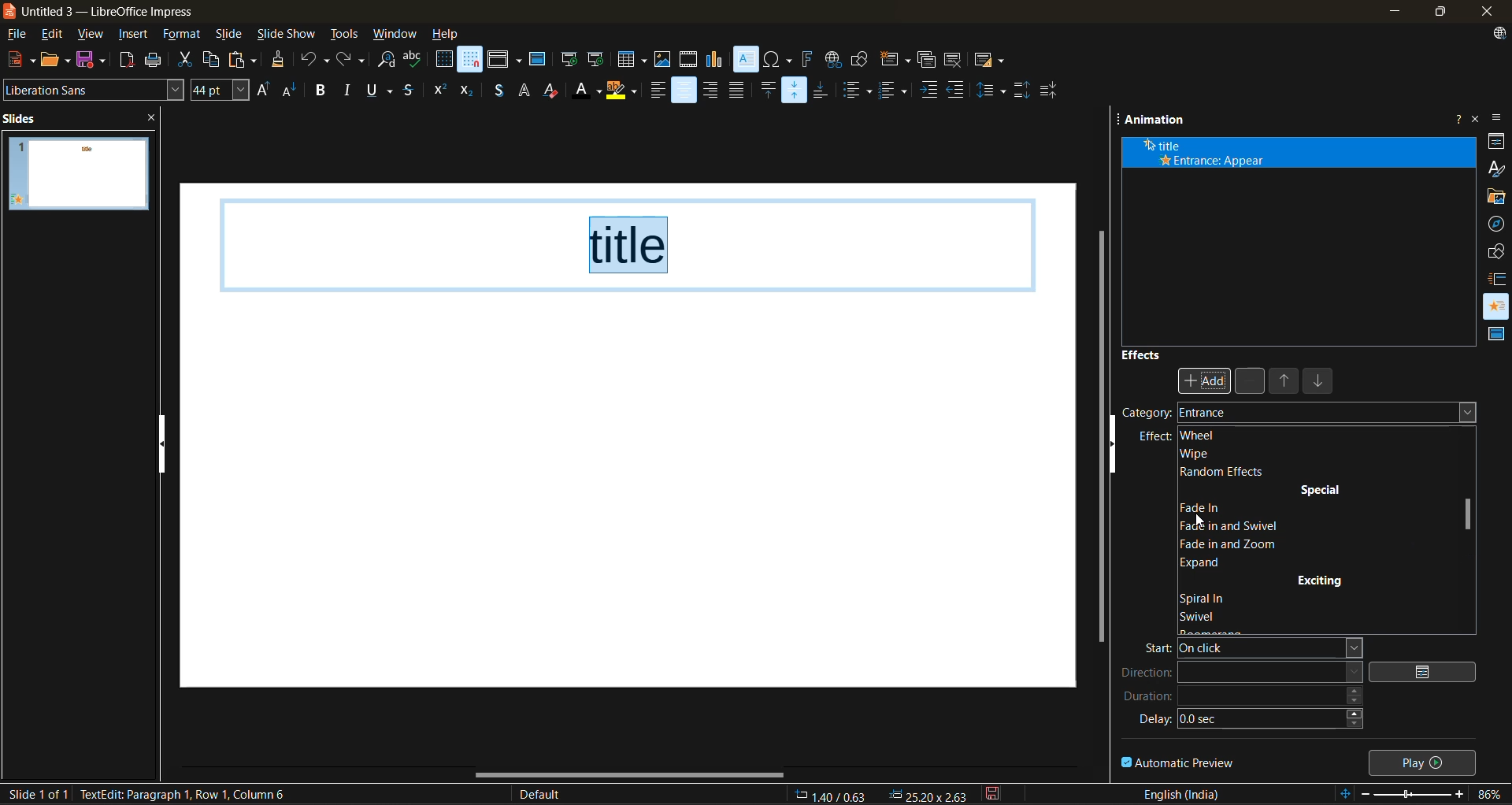 This screenshot has height=805, width=1512. What do you see at coordinates (992, 89) in the screenshot?
I see `set line spacing` at bounding box center [992, 89].